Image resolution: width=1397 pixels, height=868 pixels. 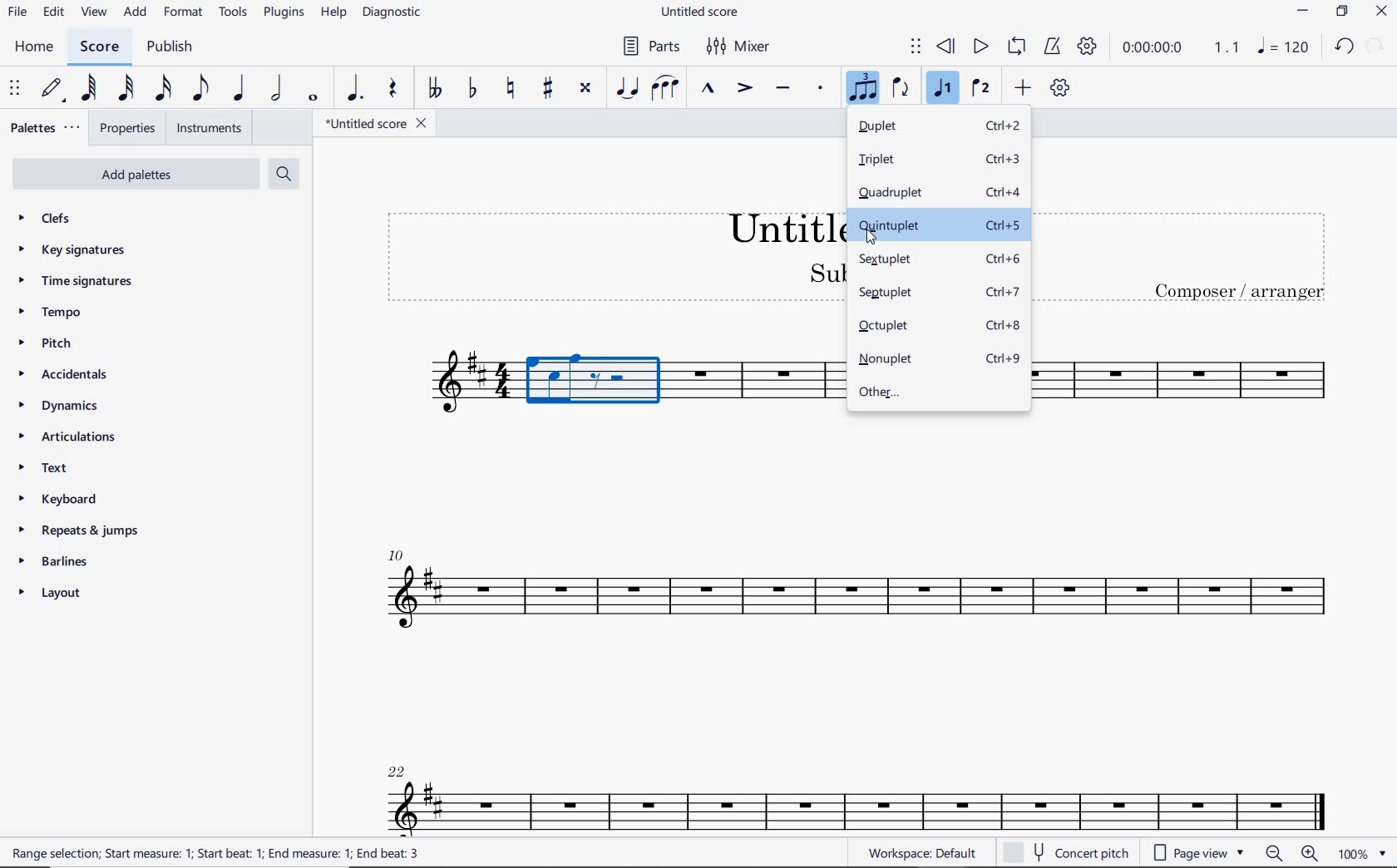 What do you see at coordinates (1181, 49) in the screenshot?
I see `PLAY SPEED` at bounding box center [1181, 49].